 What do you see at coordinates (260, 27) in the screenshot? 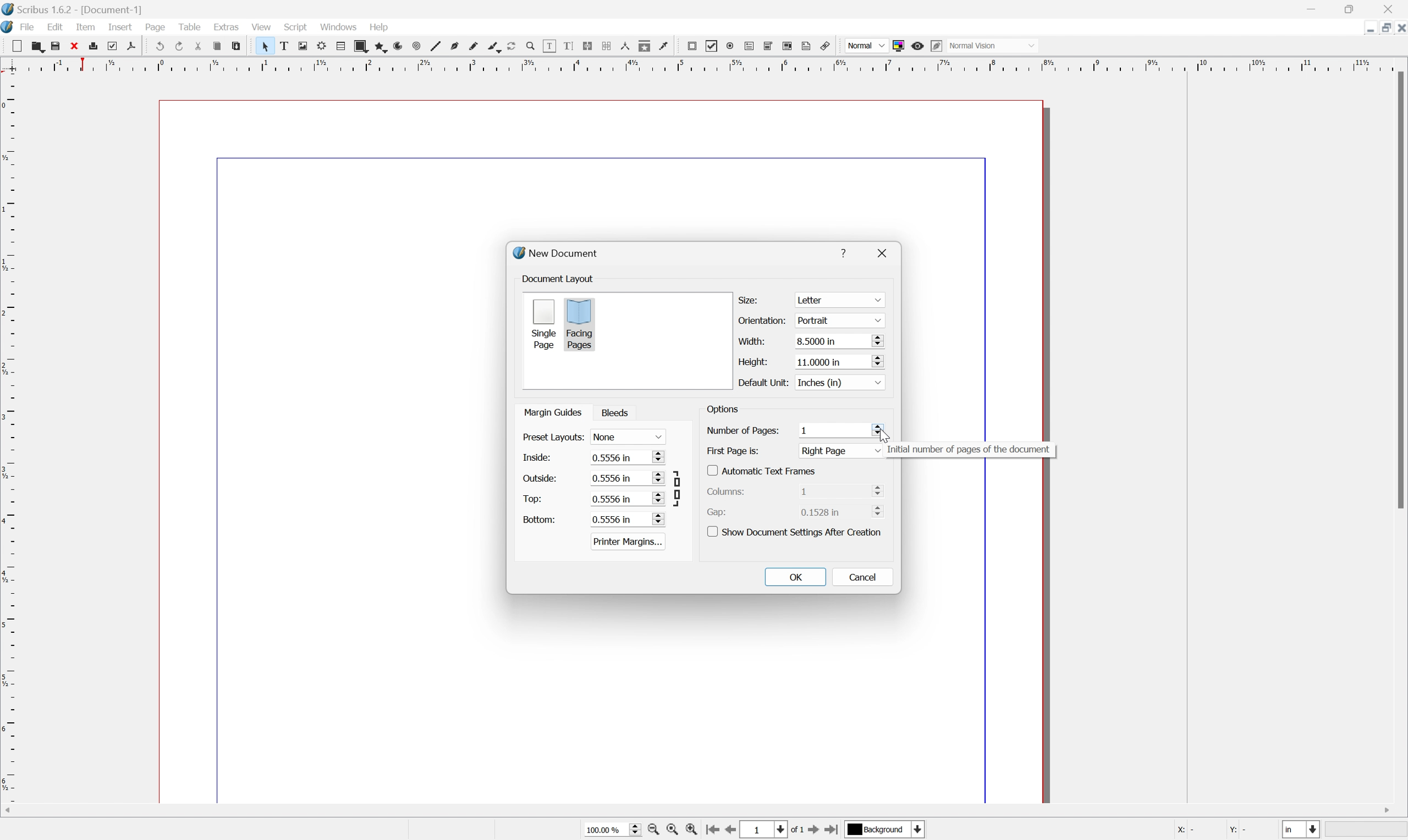
I see `View` at bounding box center [260, 27].